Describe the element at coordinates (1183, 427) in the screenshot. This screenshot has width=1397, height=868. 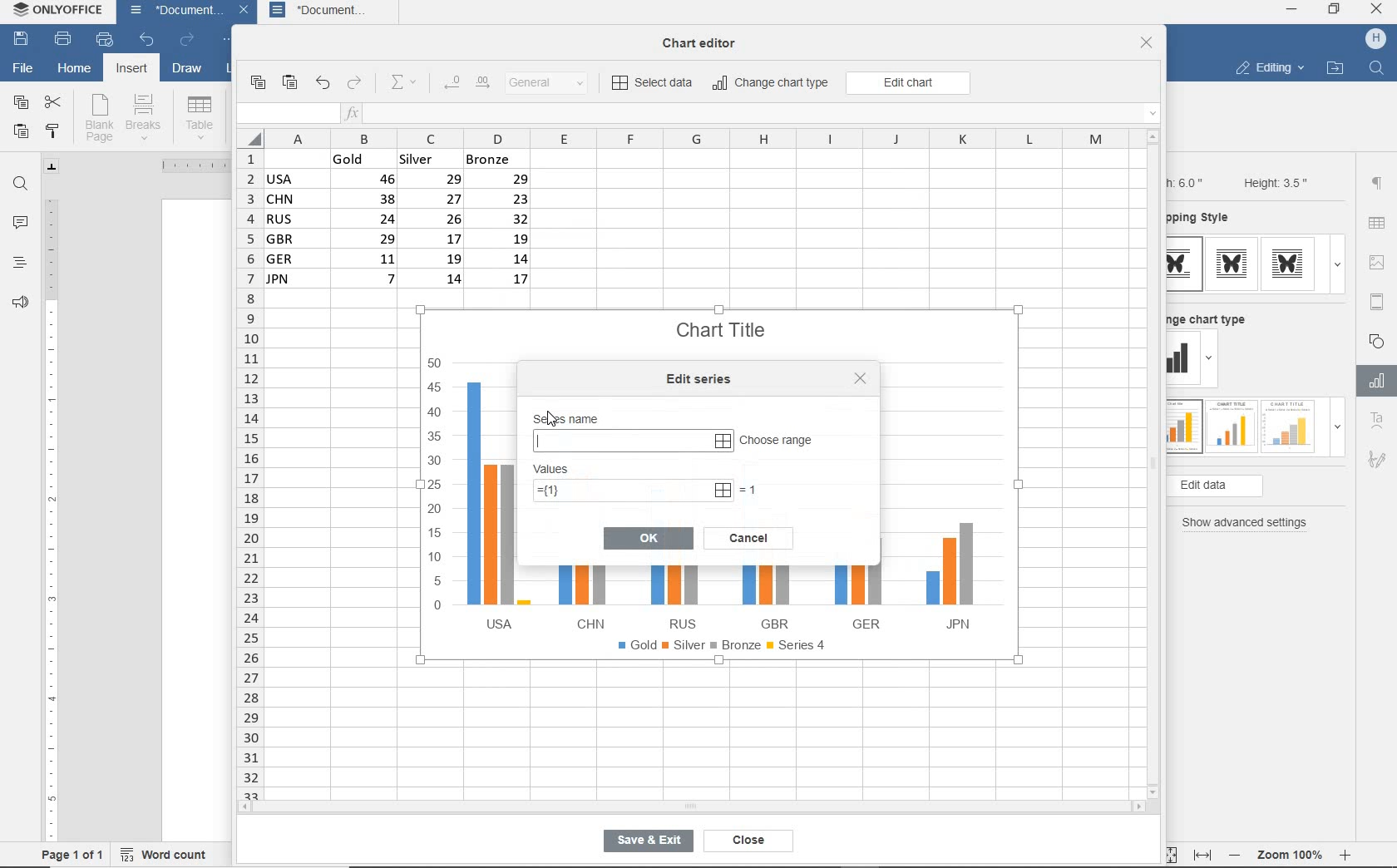
I see `type 1 ` at that location.